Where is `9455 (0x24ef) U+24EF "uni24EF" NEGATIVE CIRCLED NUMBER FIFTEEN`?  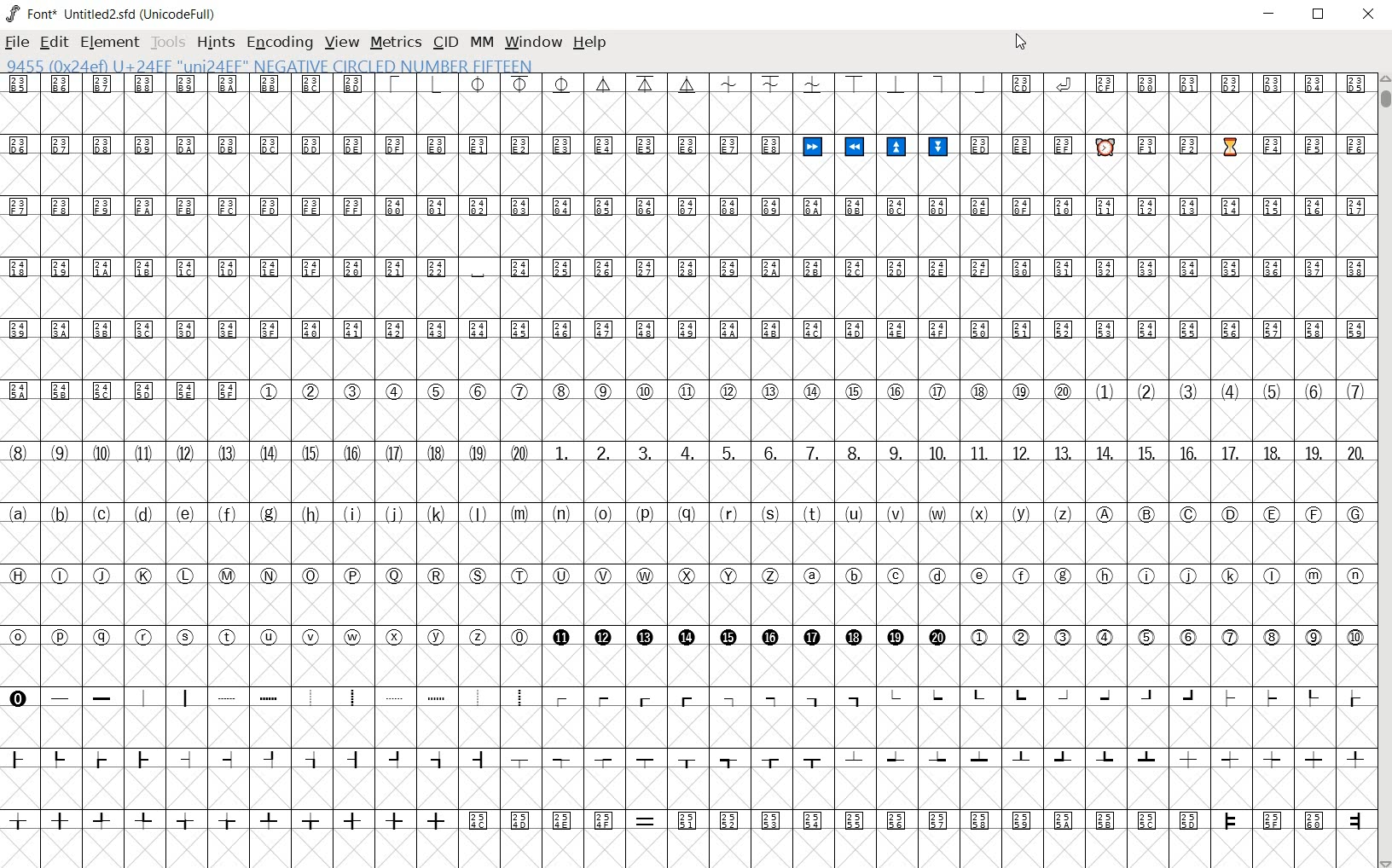 9455 (0x24ef) U+24EF "uni24EF" NEGATIVE CIRCLED NUMBER FIFTEEN is located at coordinates (270, 65).